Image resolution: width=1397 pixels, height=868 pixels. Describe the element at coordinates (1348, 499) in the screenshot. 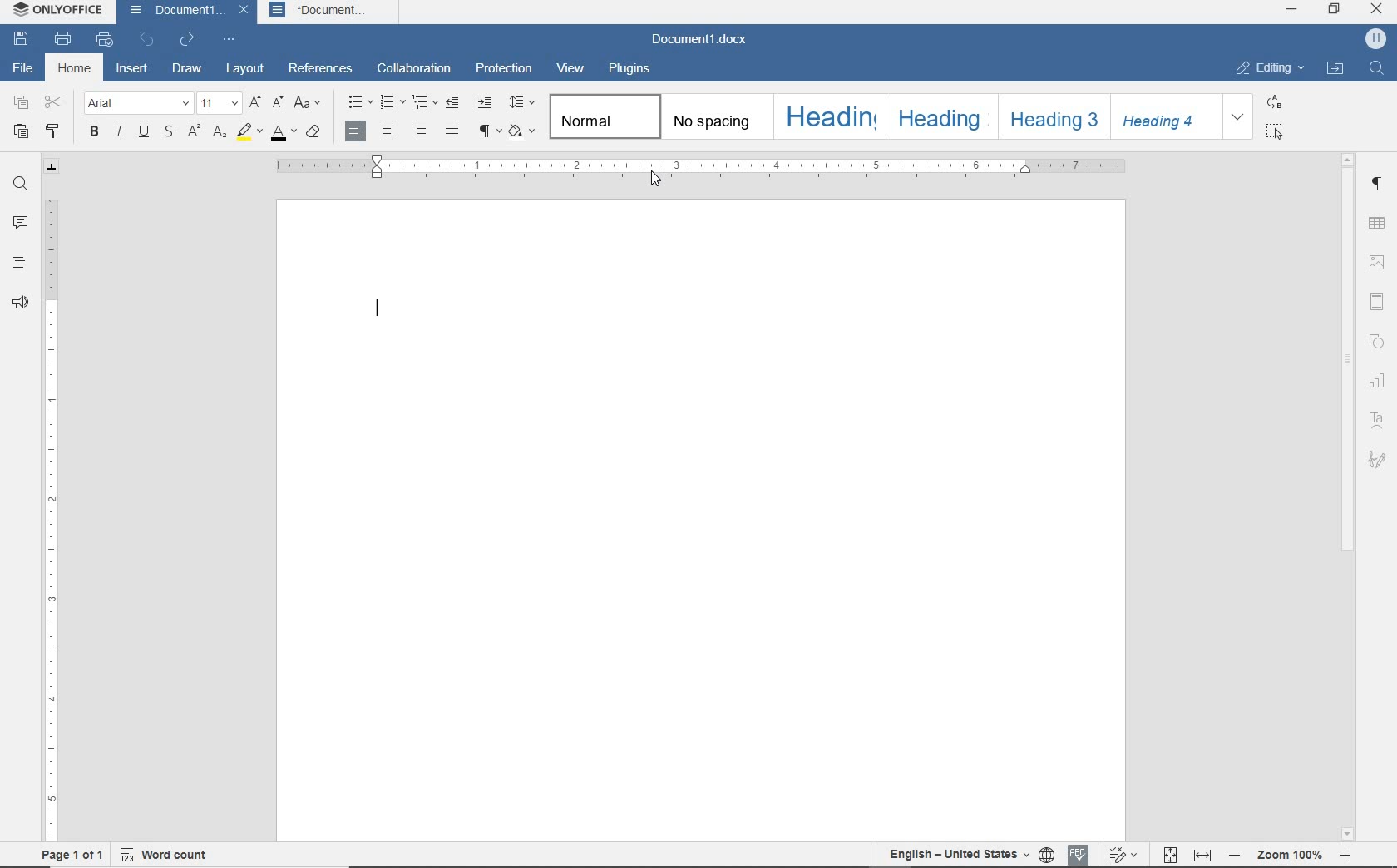

I see `SCROLLBAR` at that location.